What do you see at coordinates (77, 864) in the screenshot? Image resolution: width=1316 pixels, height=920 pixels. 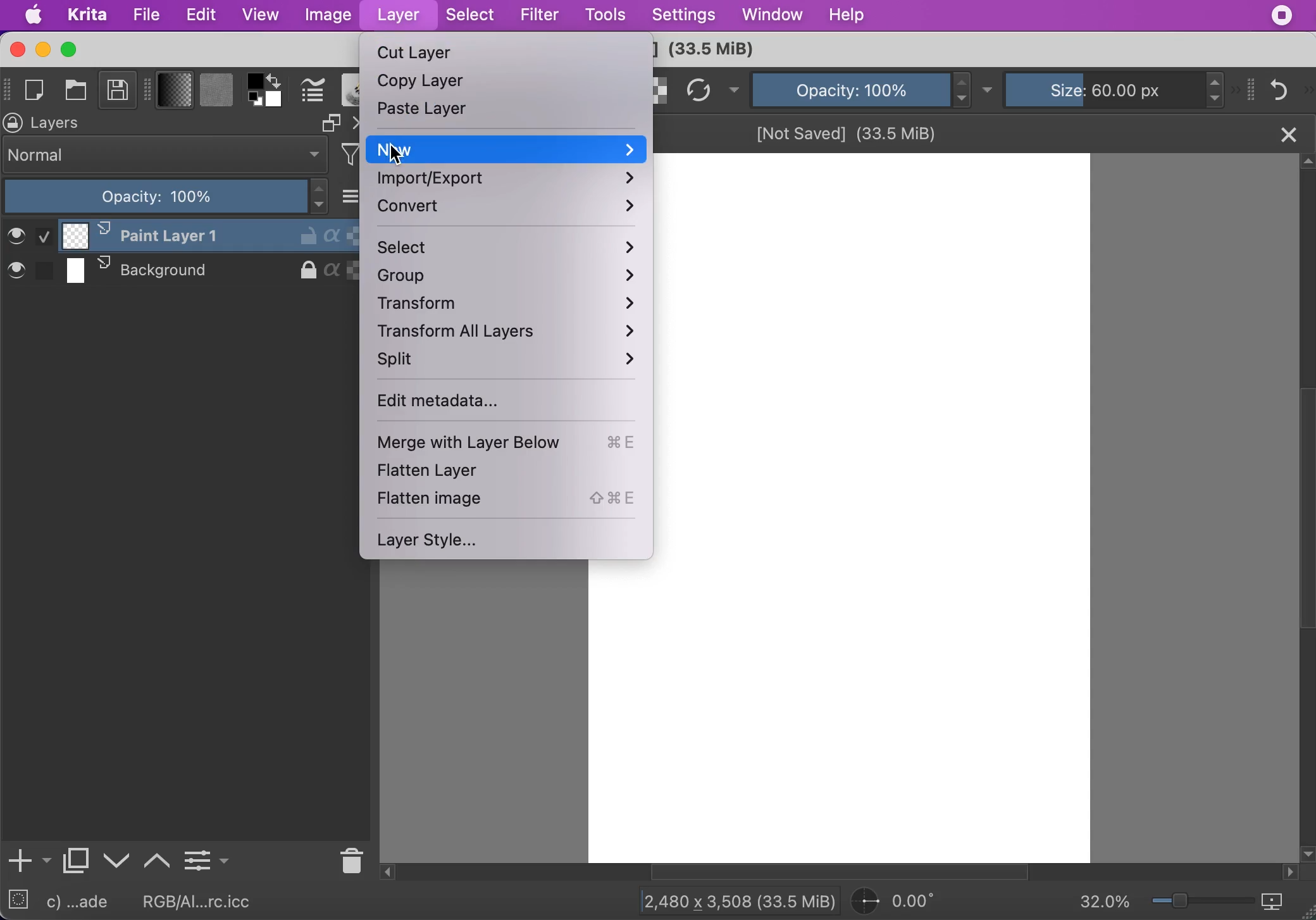 I see `duplicate layer or mask` at bounding box center [77, 864].